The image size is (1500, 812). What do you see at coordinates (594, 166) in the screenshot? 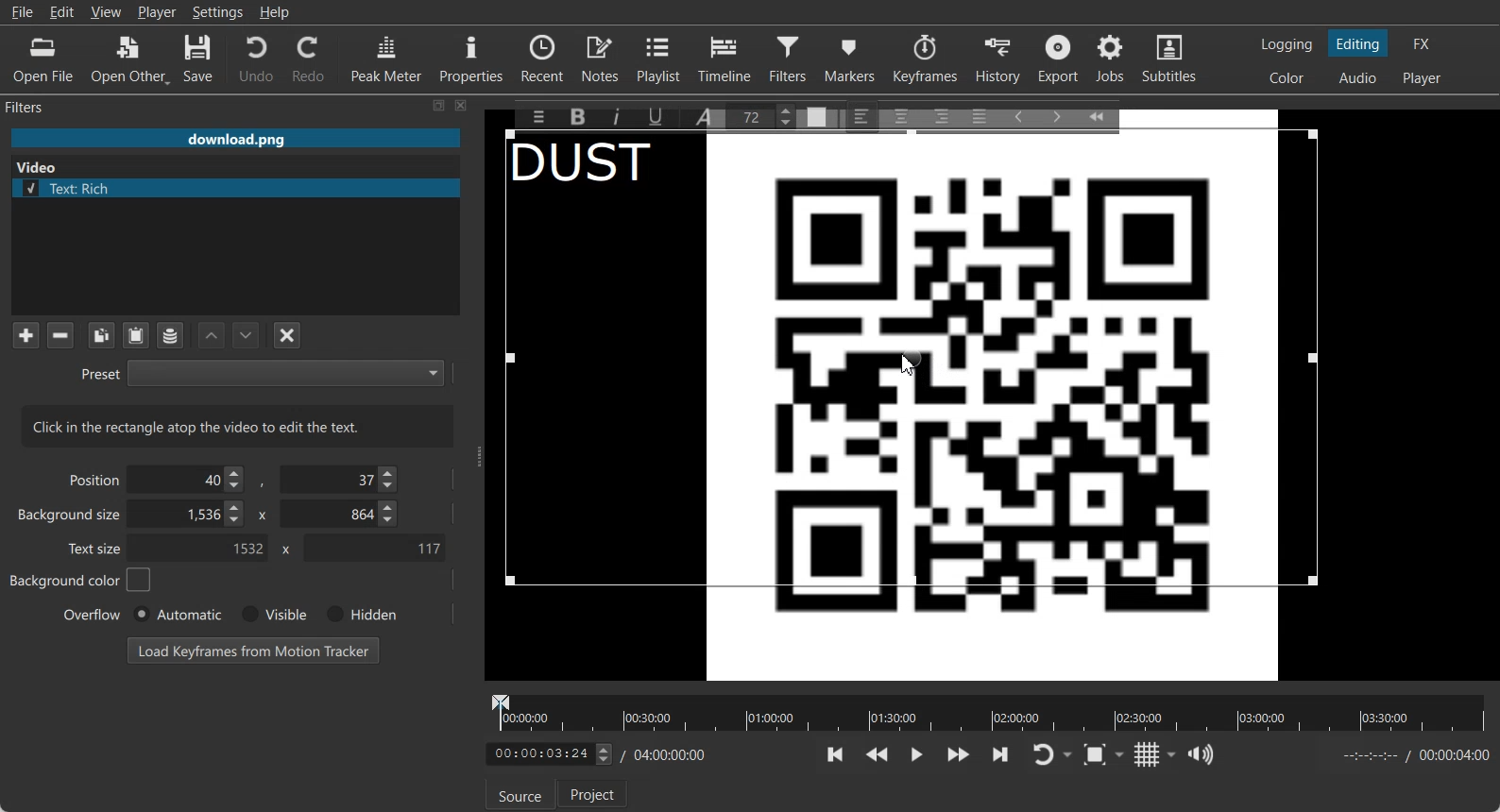
I see `Text` at bounding box center [594, 166].